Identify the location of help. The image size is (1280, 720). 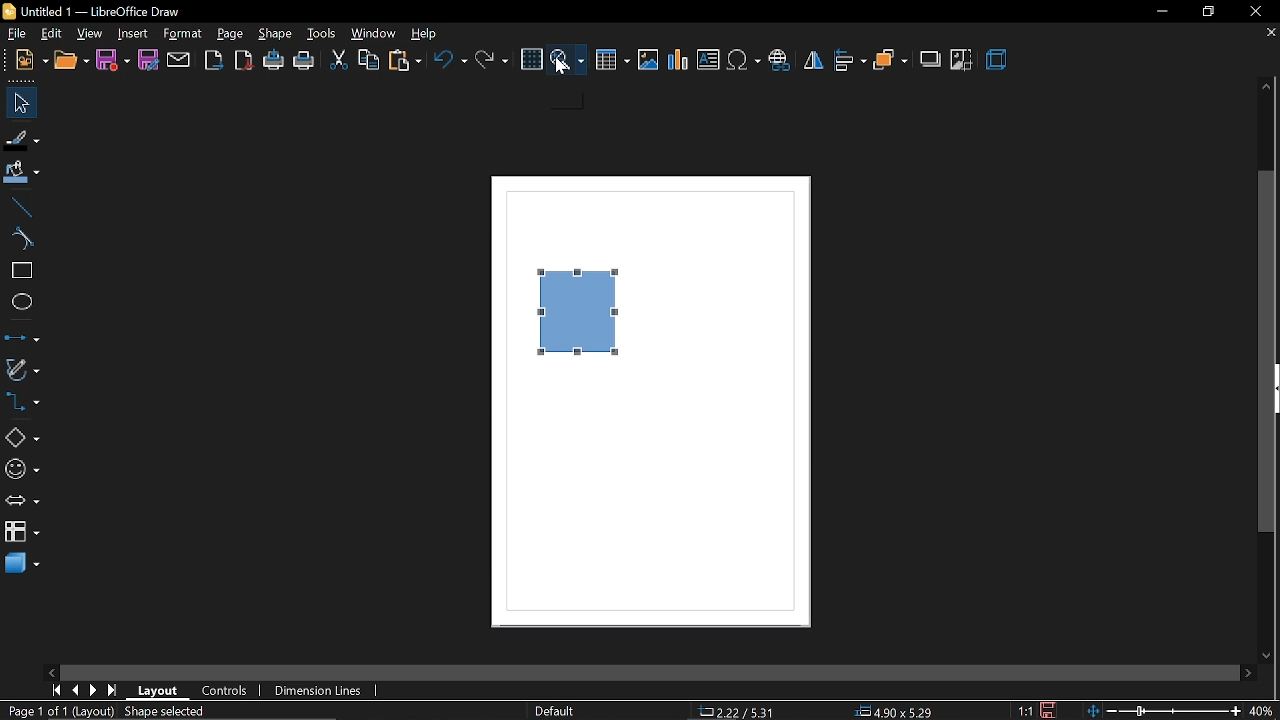
(427, 34).